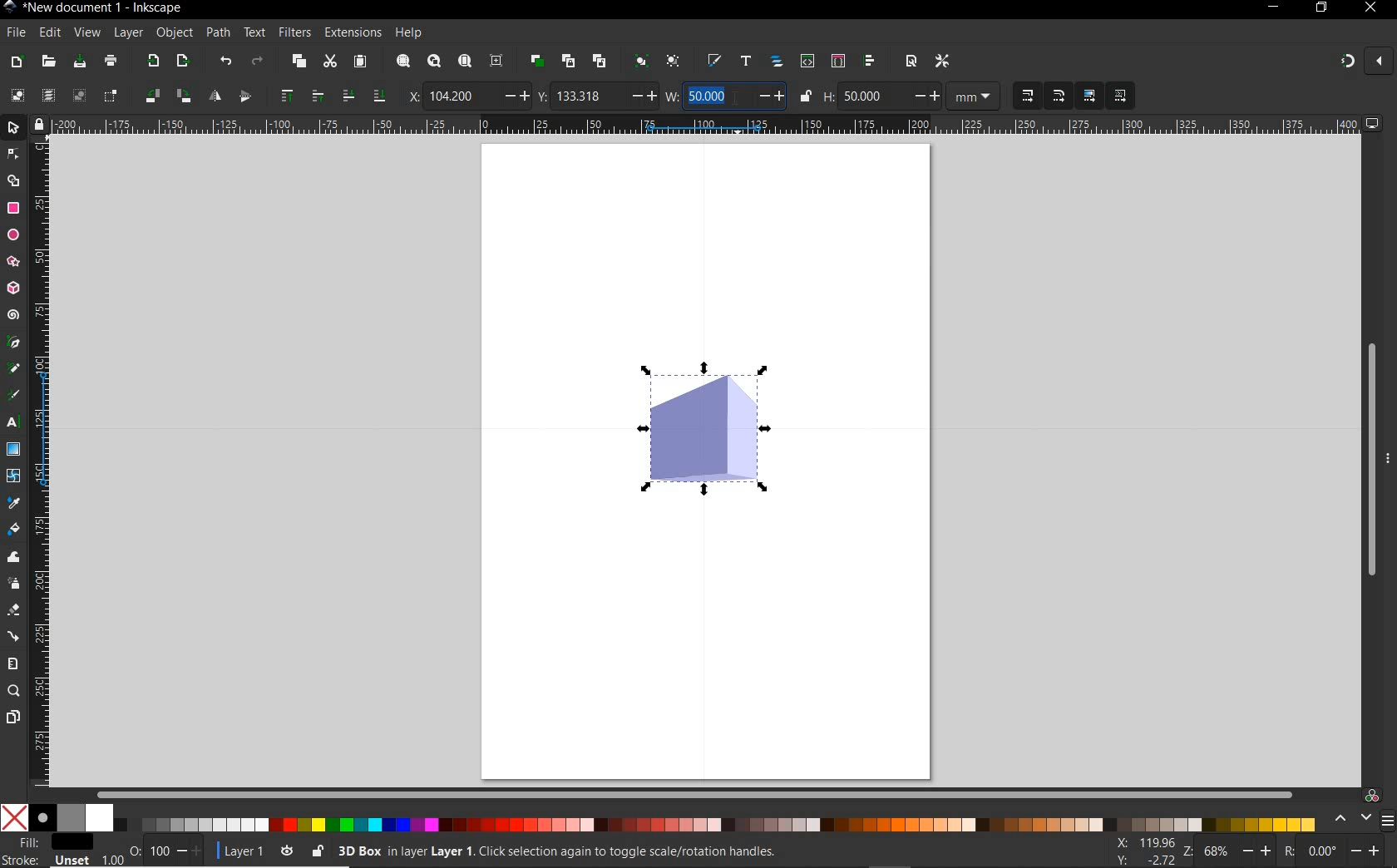 This screenshot has width=1397, height=868. Describe the element at coordinates (47, 62) in the screenshot. I see `open file dialog` at that location.